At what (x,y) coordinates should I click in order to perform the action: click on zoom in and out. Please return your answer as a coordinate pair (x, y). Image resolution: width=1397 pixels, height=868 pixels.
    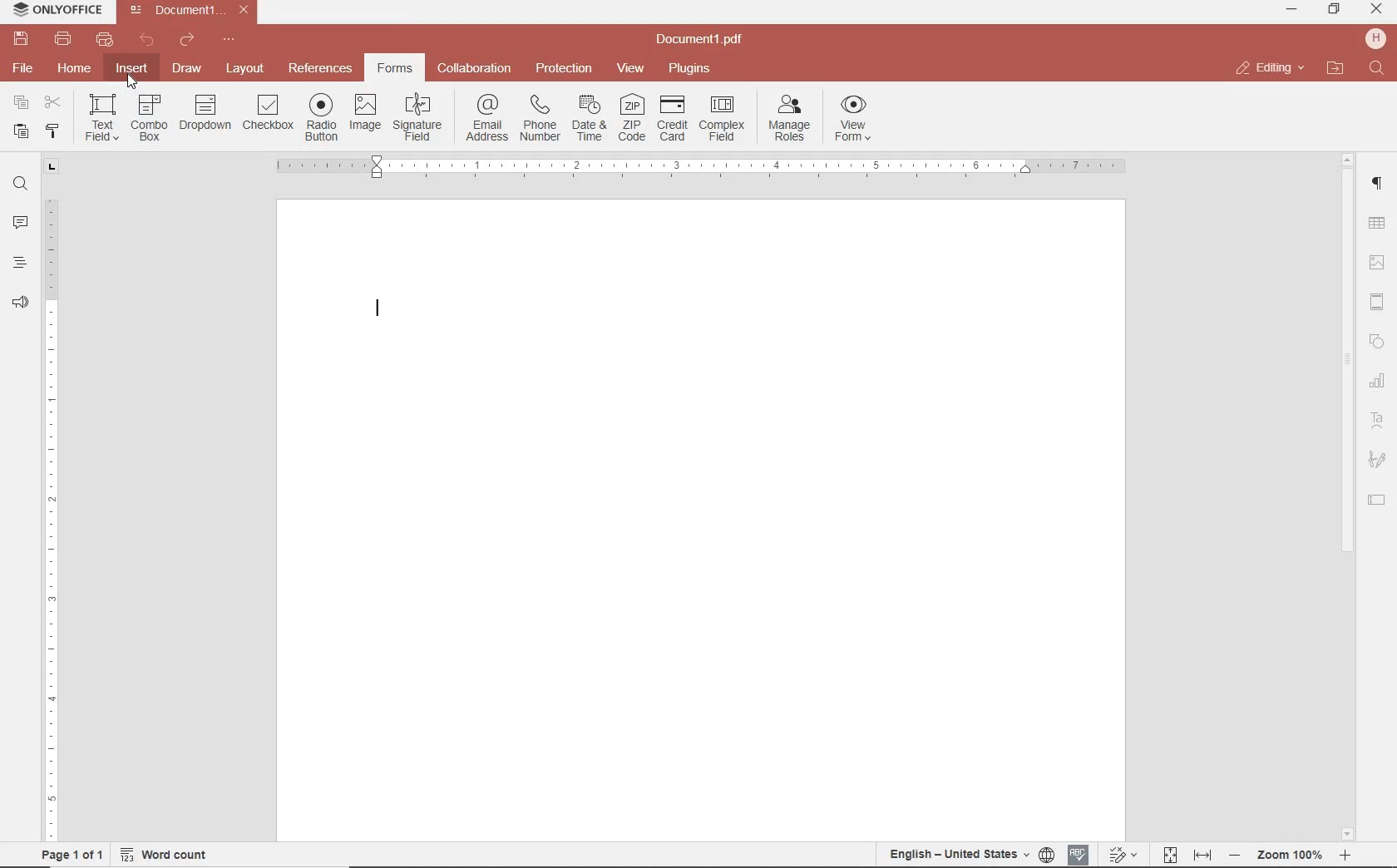
    Looking at the image, I should click on (1290, 856).